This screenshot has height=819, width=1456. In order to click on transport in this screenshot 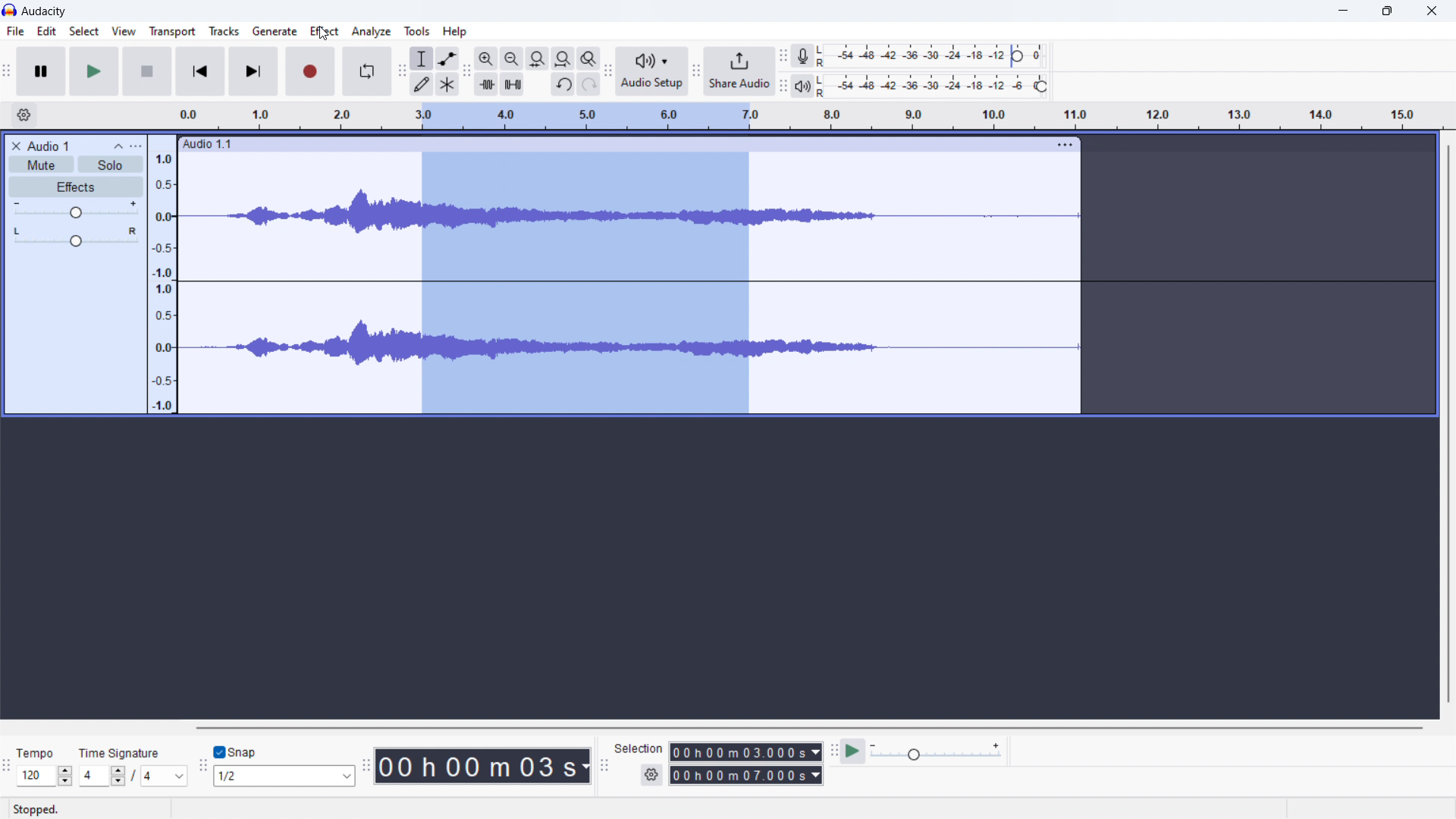, I will do `click(173, 32)`.